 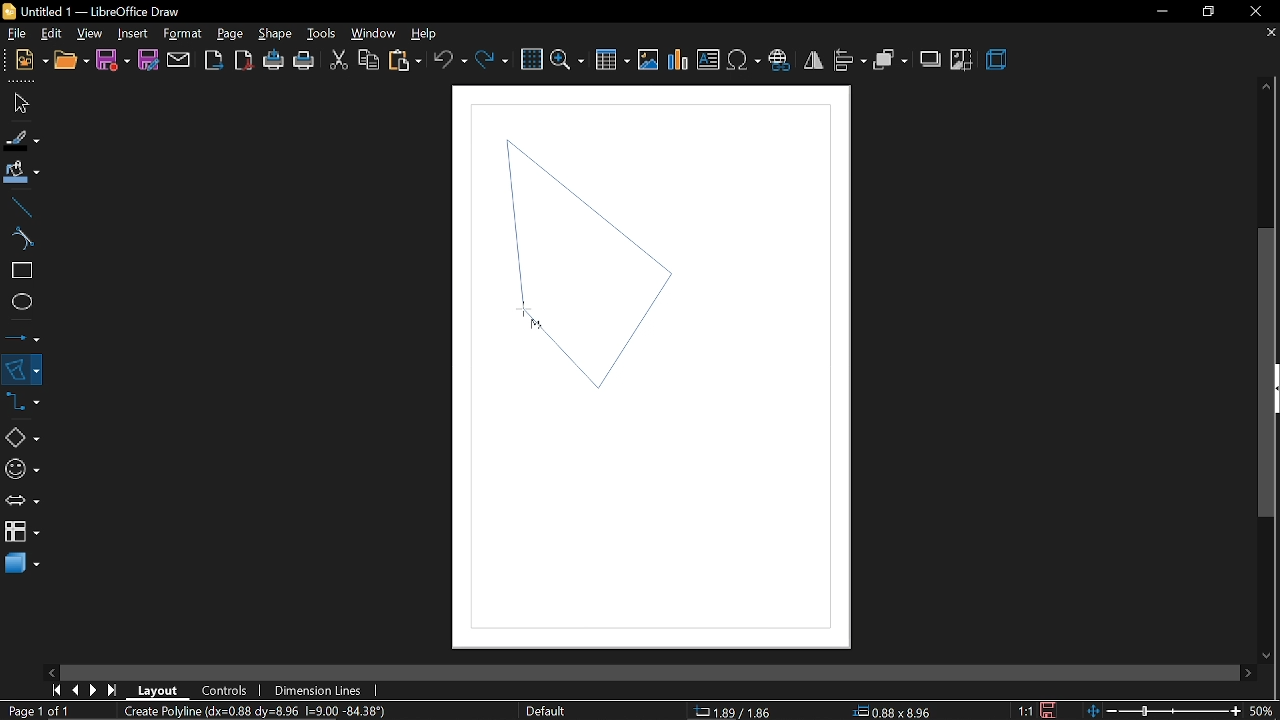 I want to click on previous page, so click(x=77, y=689).